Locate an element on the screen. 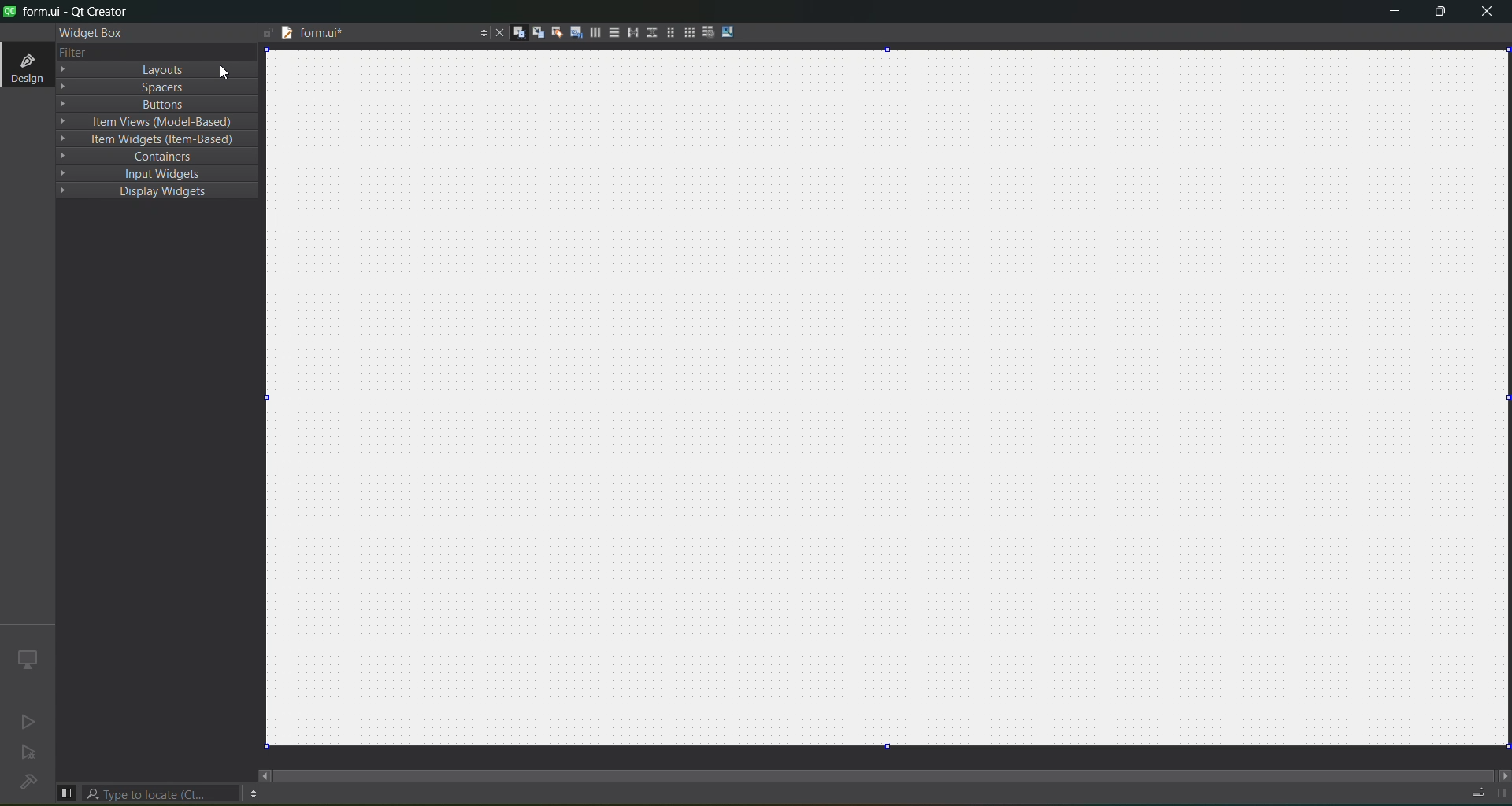 The image size is (1512, 806). move left is located at coordinates (265, 775).